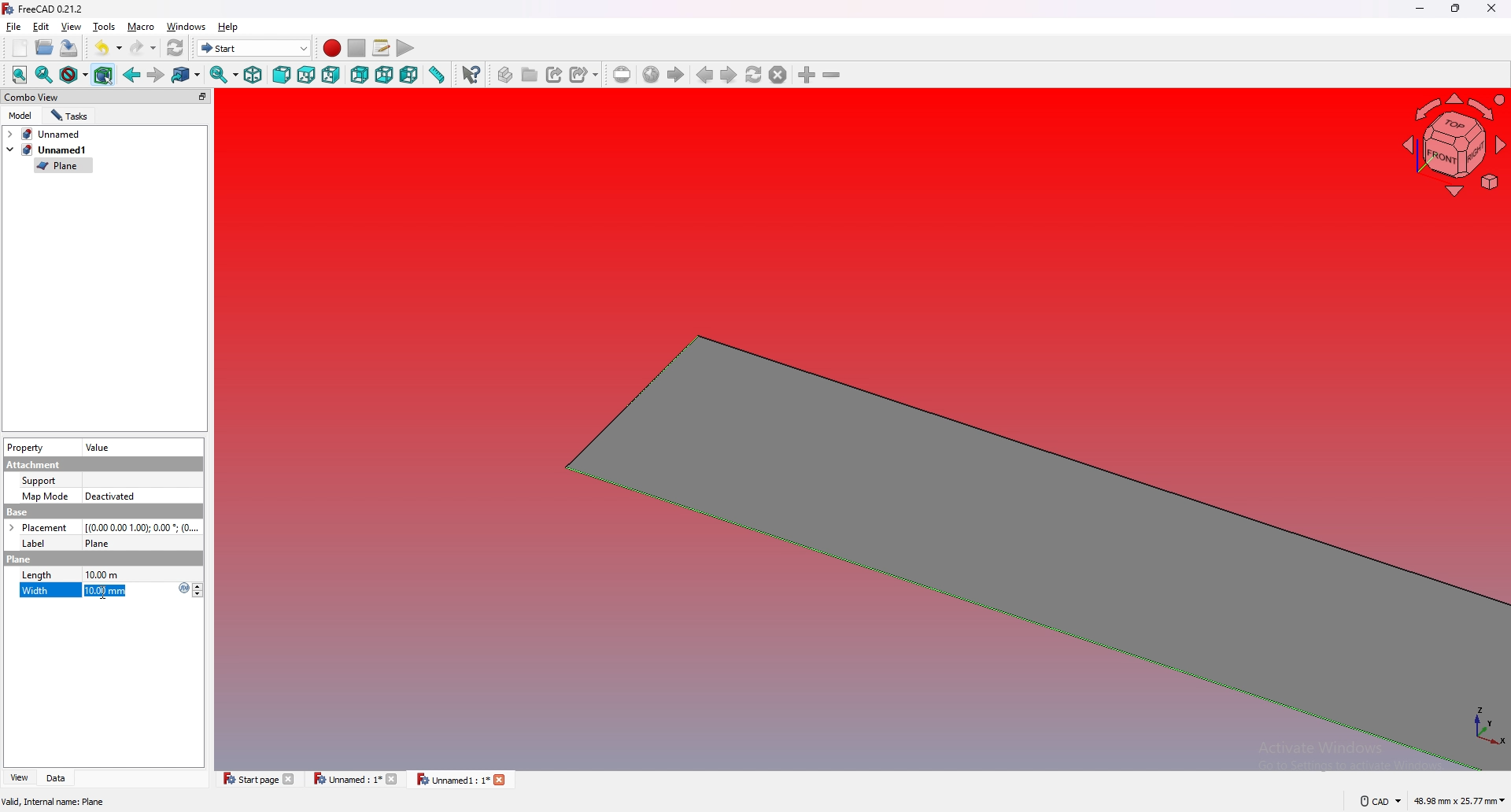 The image size is (1511, 812). What do you see at coordinates (19, 559) in the screenshot?
I see `plane` at bounding box center [19, 559].